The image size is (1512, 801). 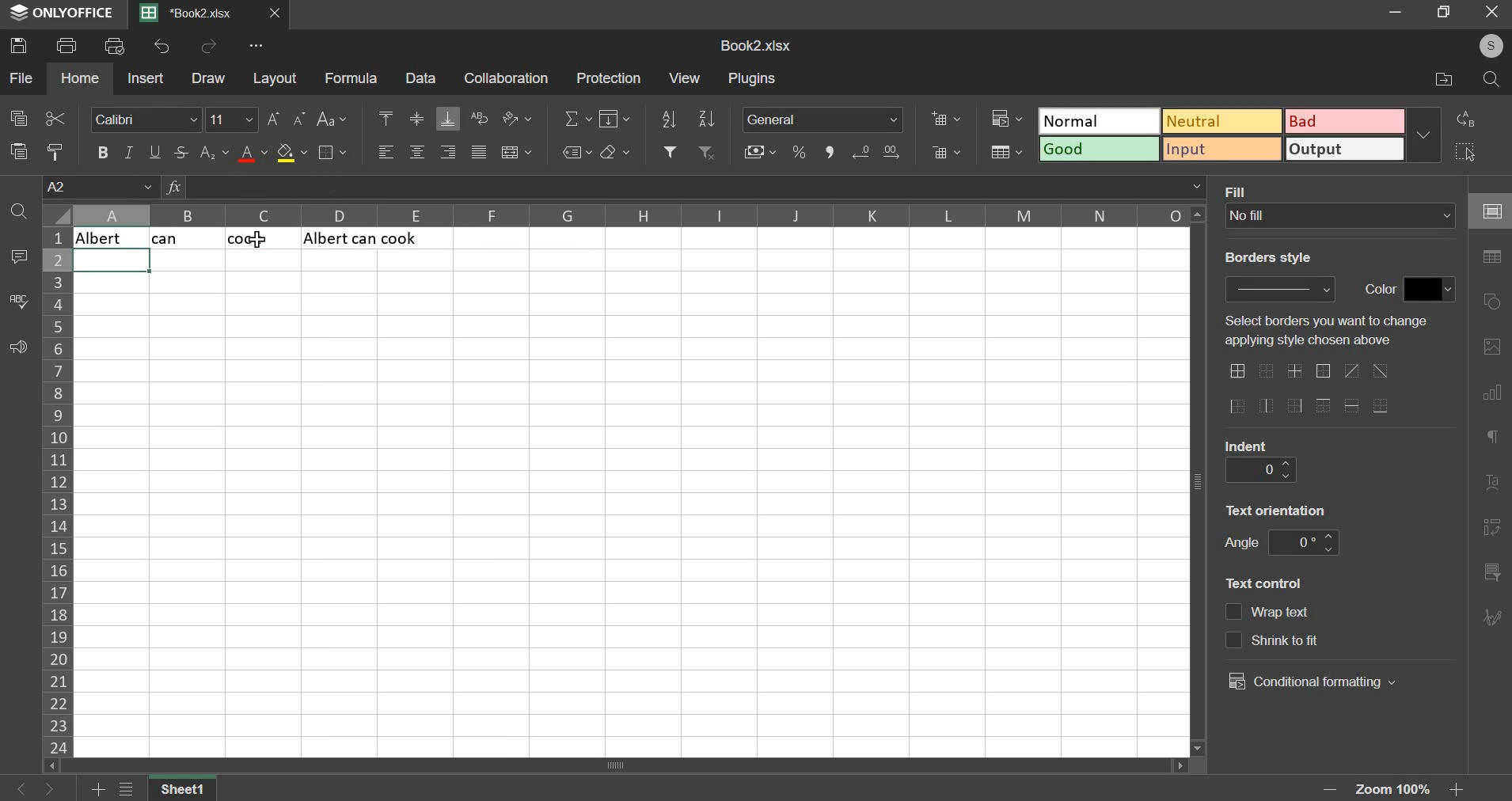 What do you see at coordinates (947, 152) in the screenshot?
I see `delete cells` at bounding box center [947, 152].